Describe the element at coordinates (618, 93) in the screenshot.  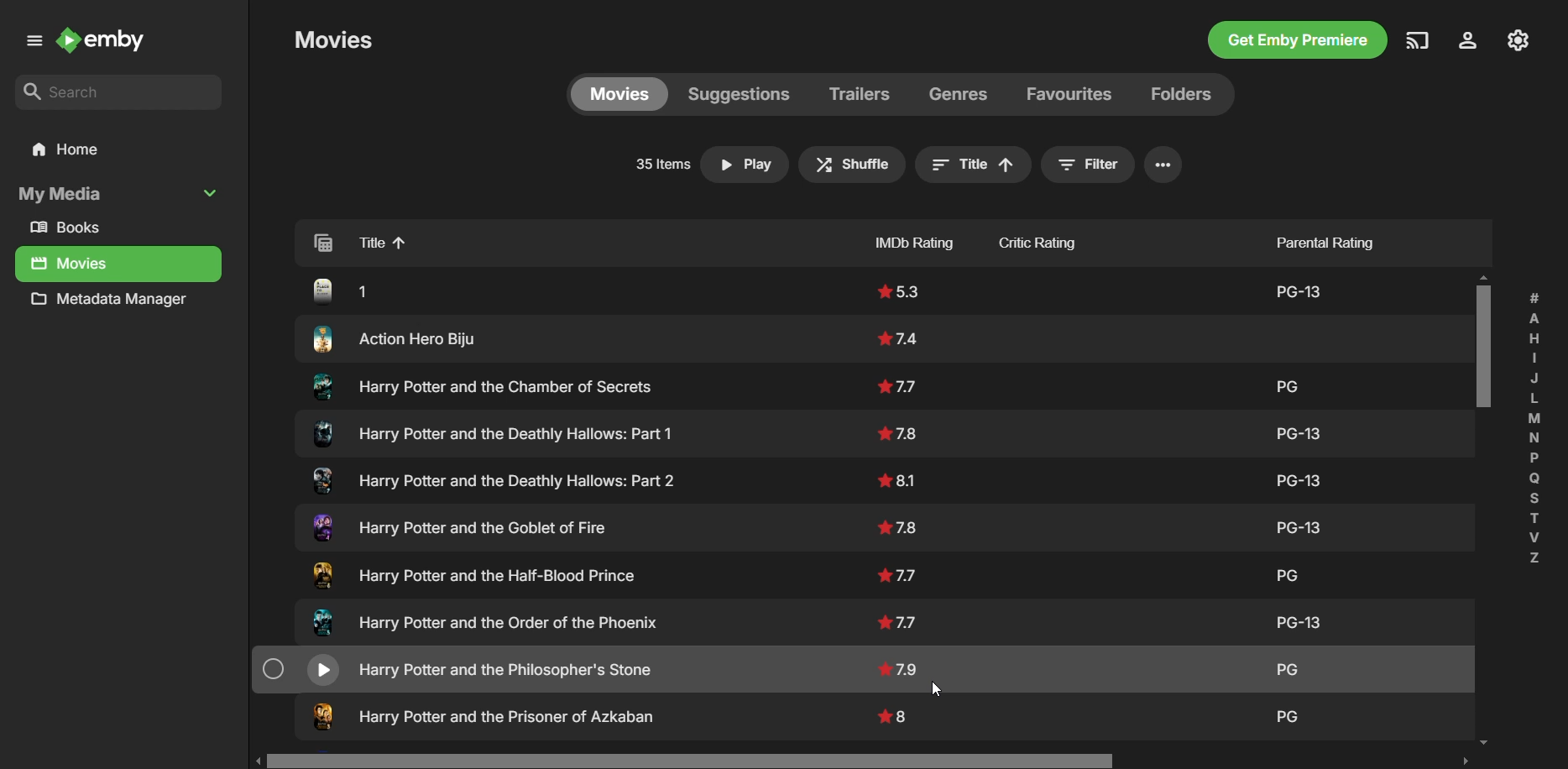
I see `Movies` at that location.